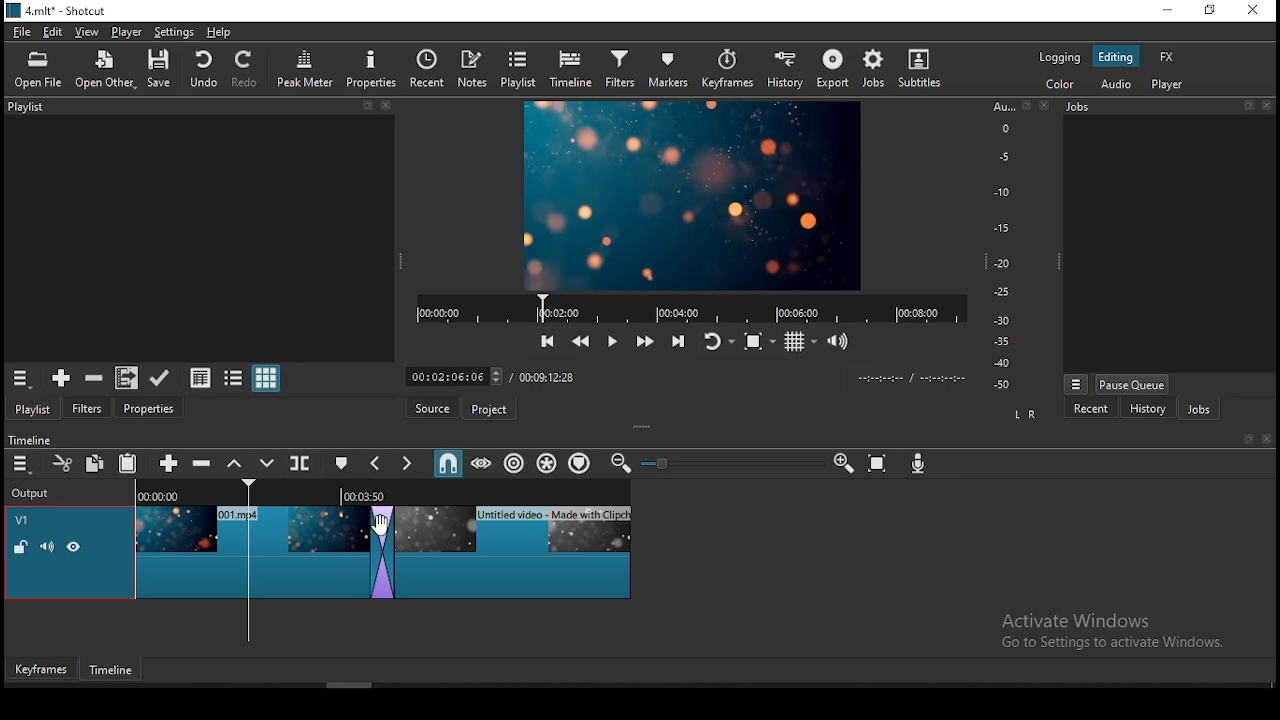  I want to click on skip to the previous point, so click(546, 340).